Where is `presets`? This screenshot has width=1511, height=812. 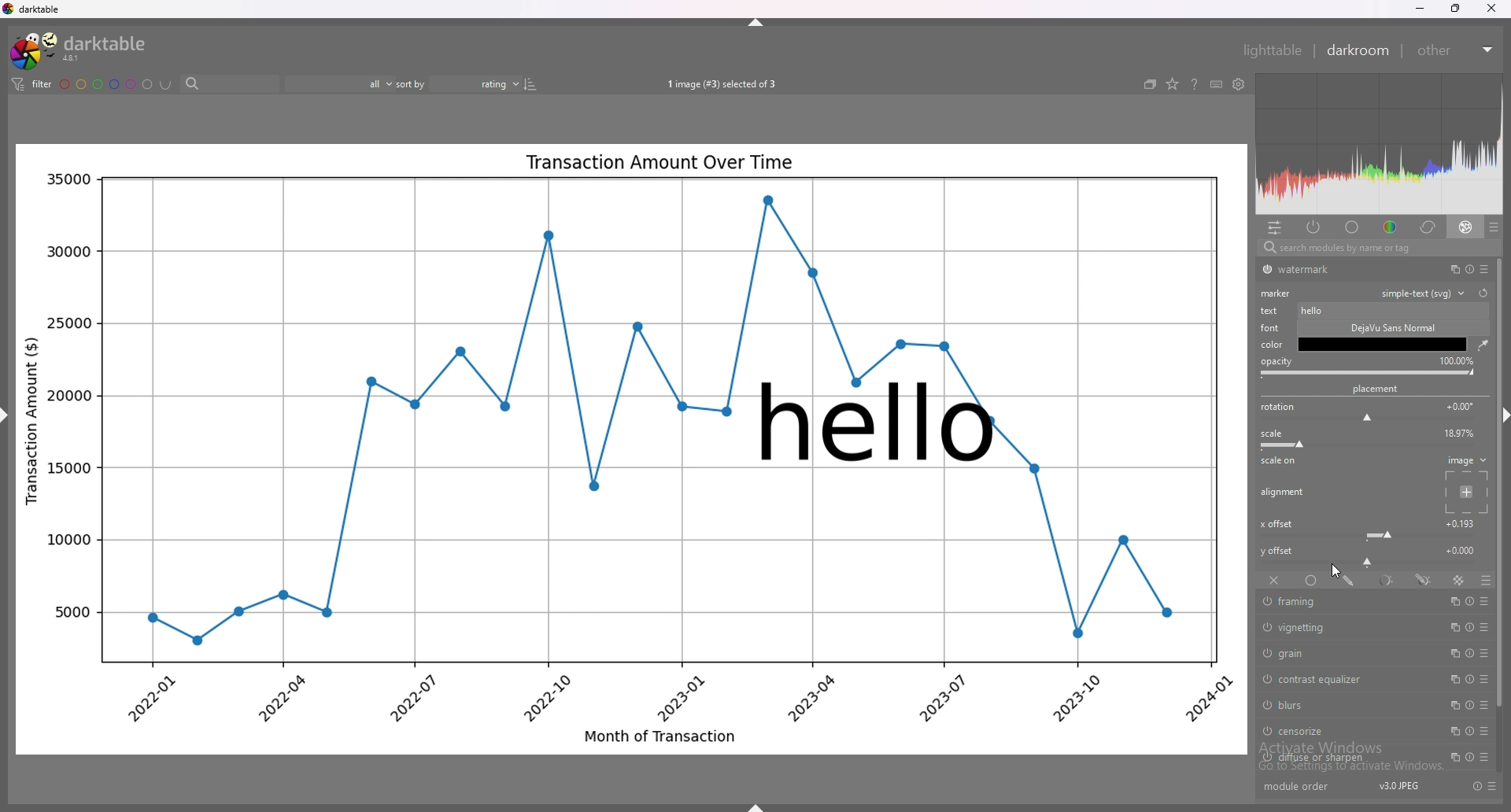
presets is located at coordinates (1482, 757).